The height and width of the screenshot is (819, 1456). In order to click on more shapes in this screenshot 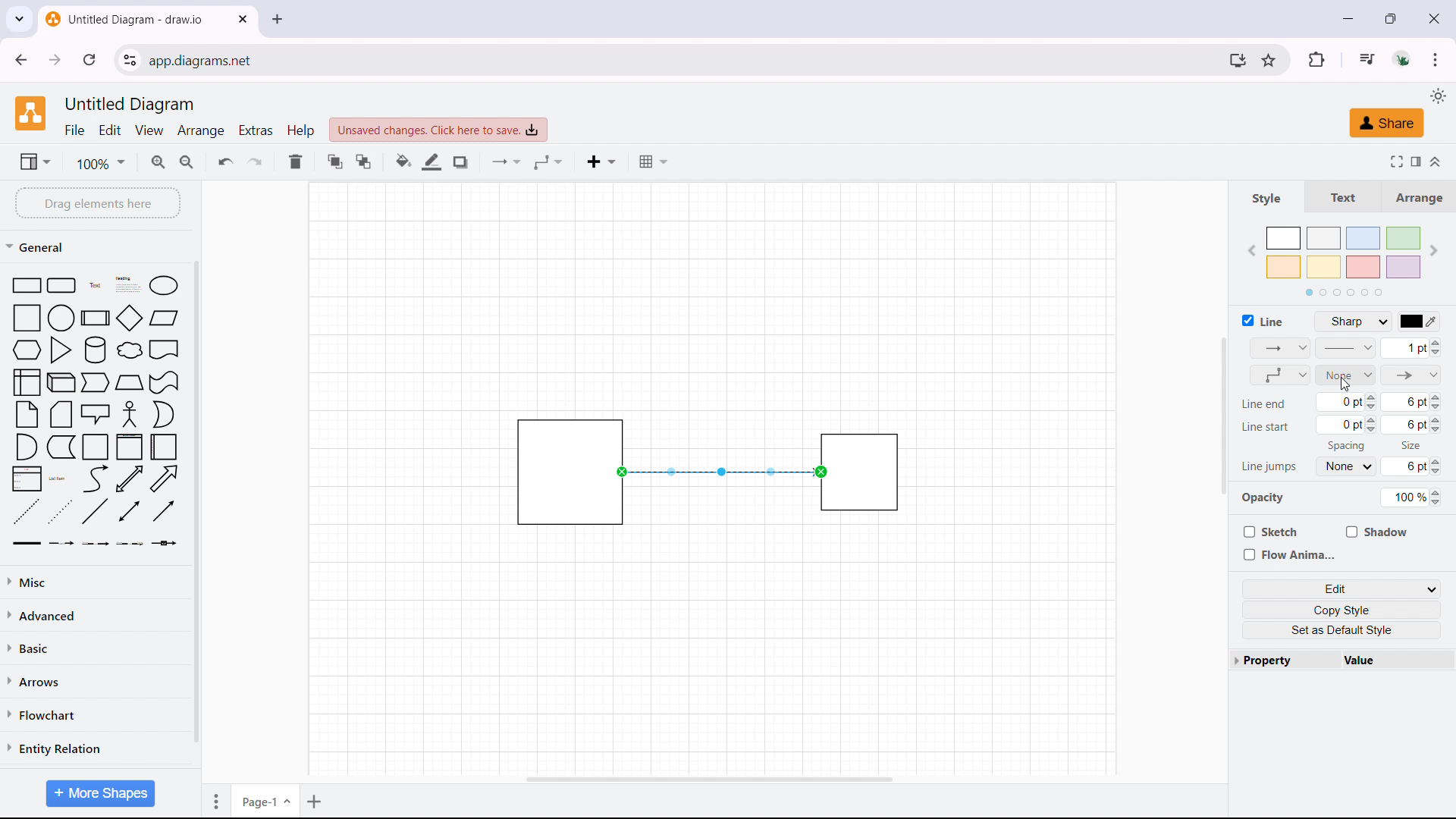, I will do `click(99, 793)`.